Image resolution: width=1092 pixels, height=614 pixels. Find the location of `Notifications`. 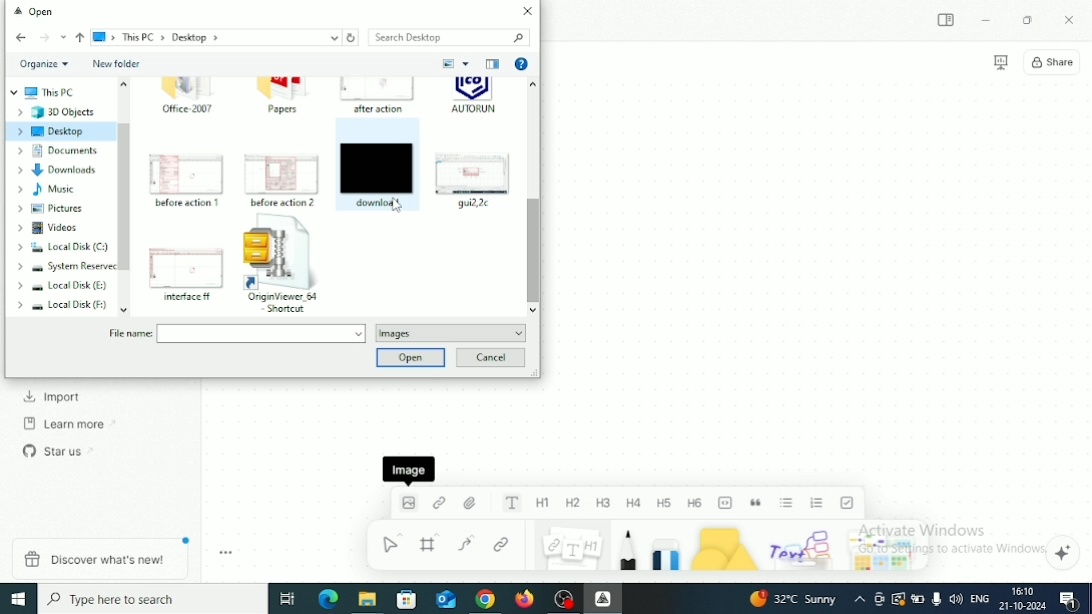

Notifications is located at coordinates (1071, 600).